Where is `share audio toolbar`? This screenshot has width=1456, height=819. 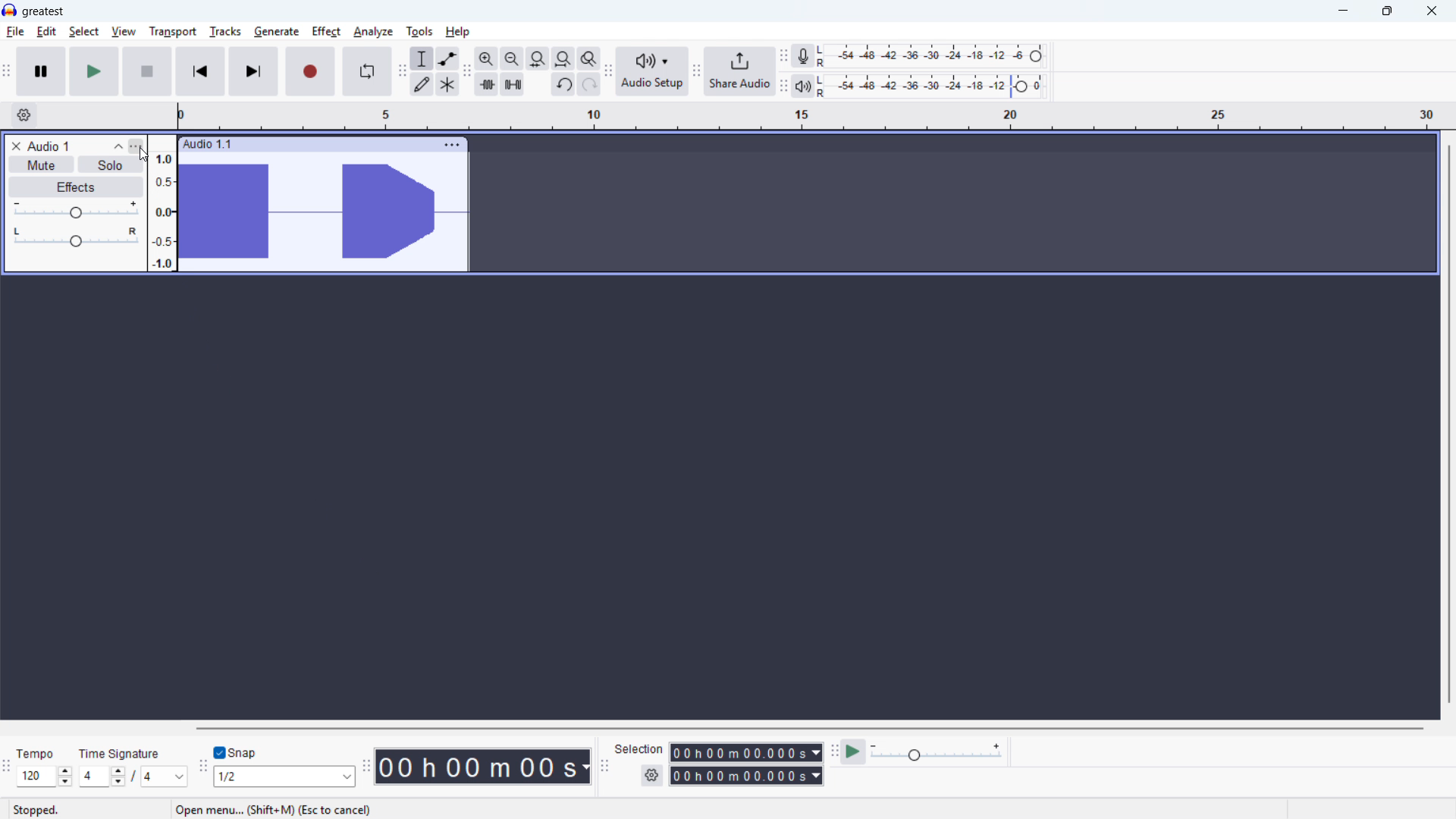
share audio toolbar is located at coordinates (697, 72).